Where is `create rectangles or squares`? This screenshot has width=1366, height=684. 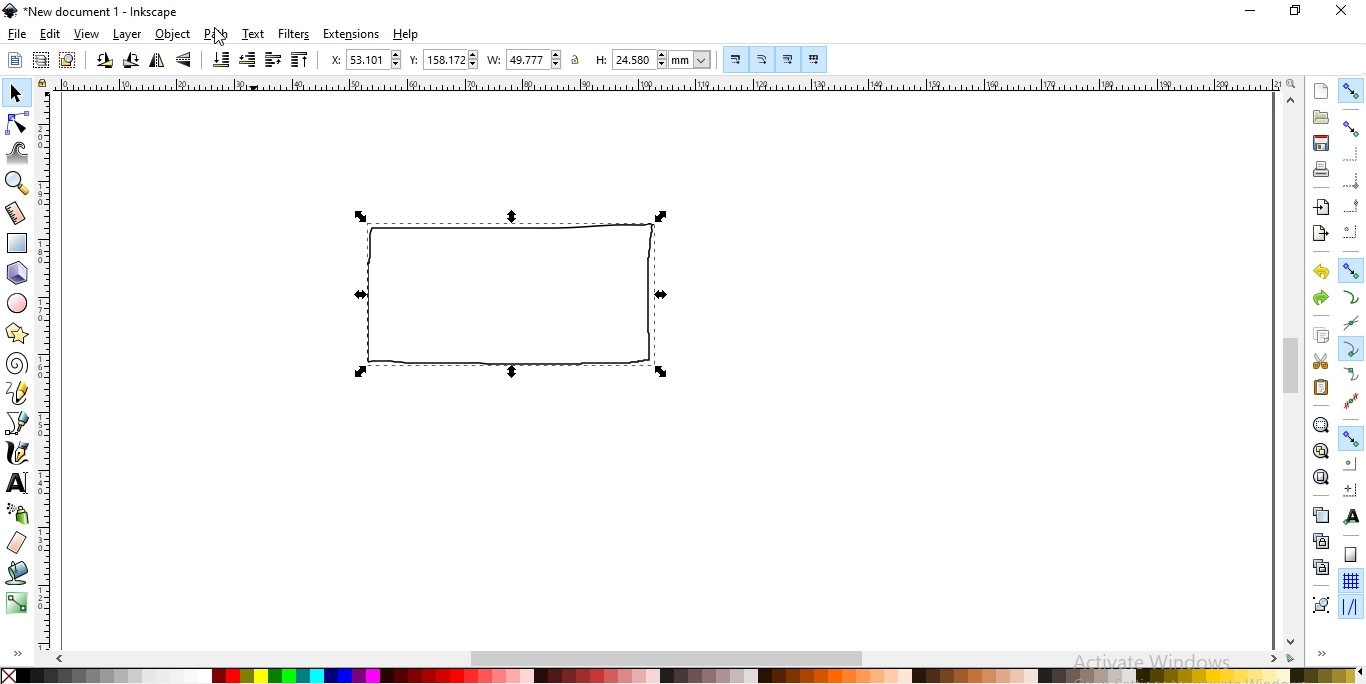 create rectangles or squares is located at coordinates (19, 243).